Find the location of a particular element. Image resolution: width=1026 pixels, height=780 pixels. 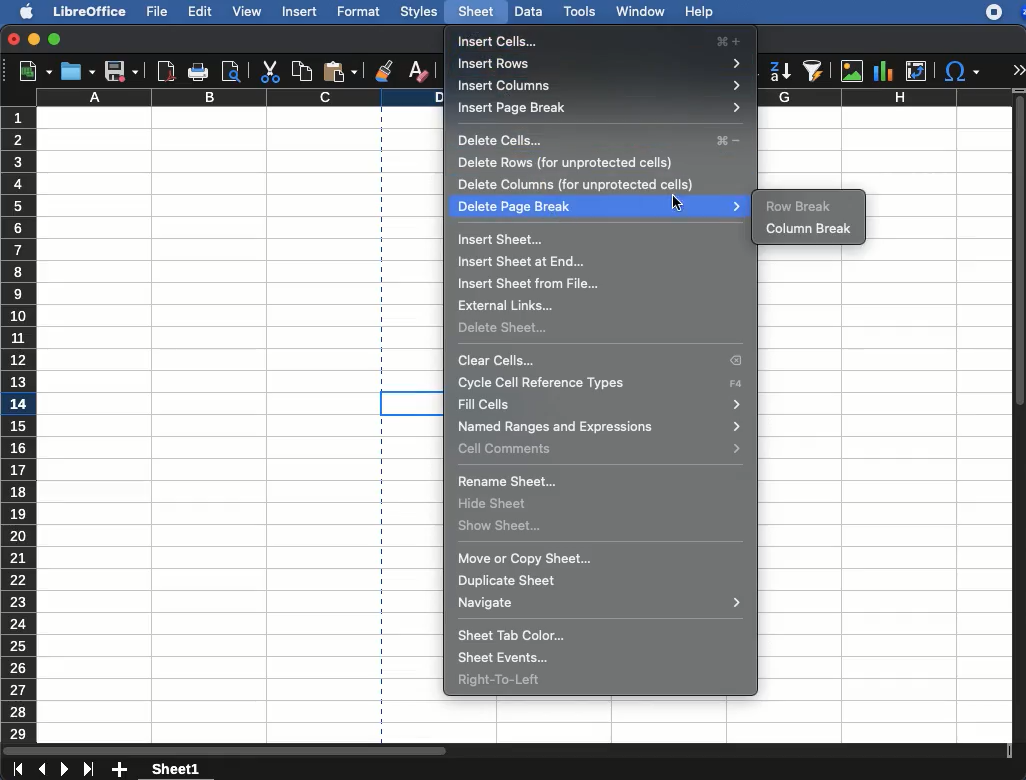

autofilter is located at coordinates (814, 71).